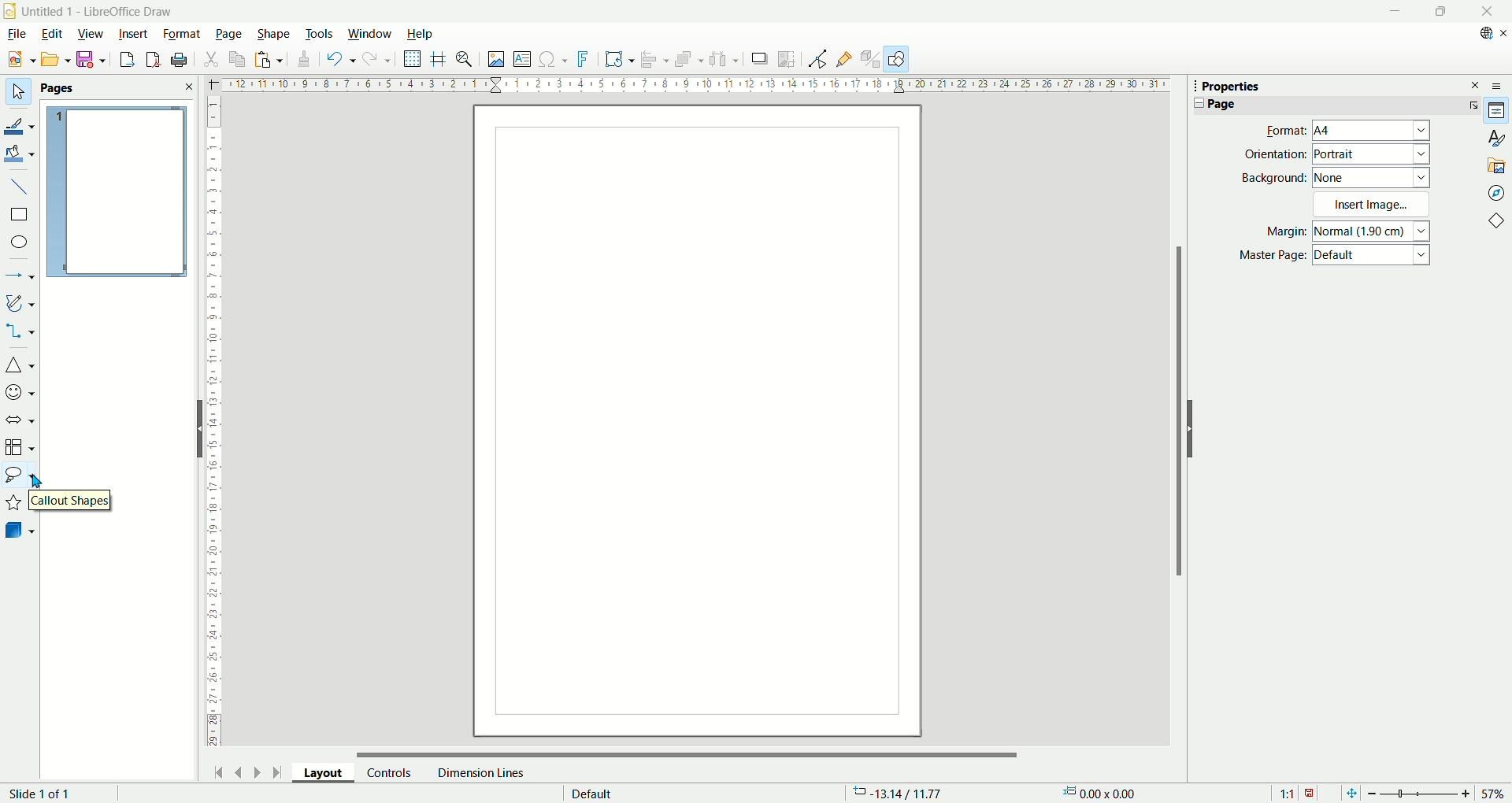  What do you see at coordinates (390, 772) in the screenshot?
I see `control` at bounding box center [390, 772].